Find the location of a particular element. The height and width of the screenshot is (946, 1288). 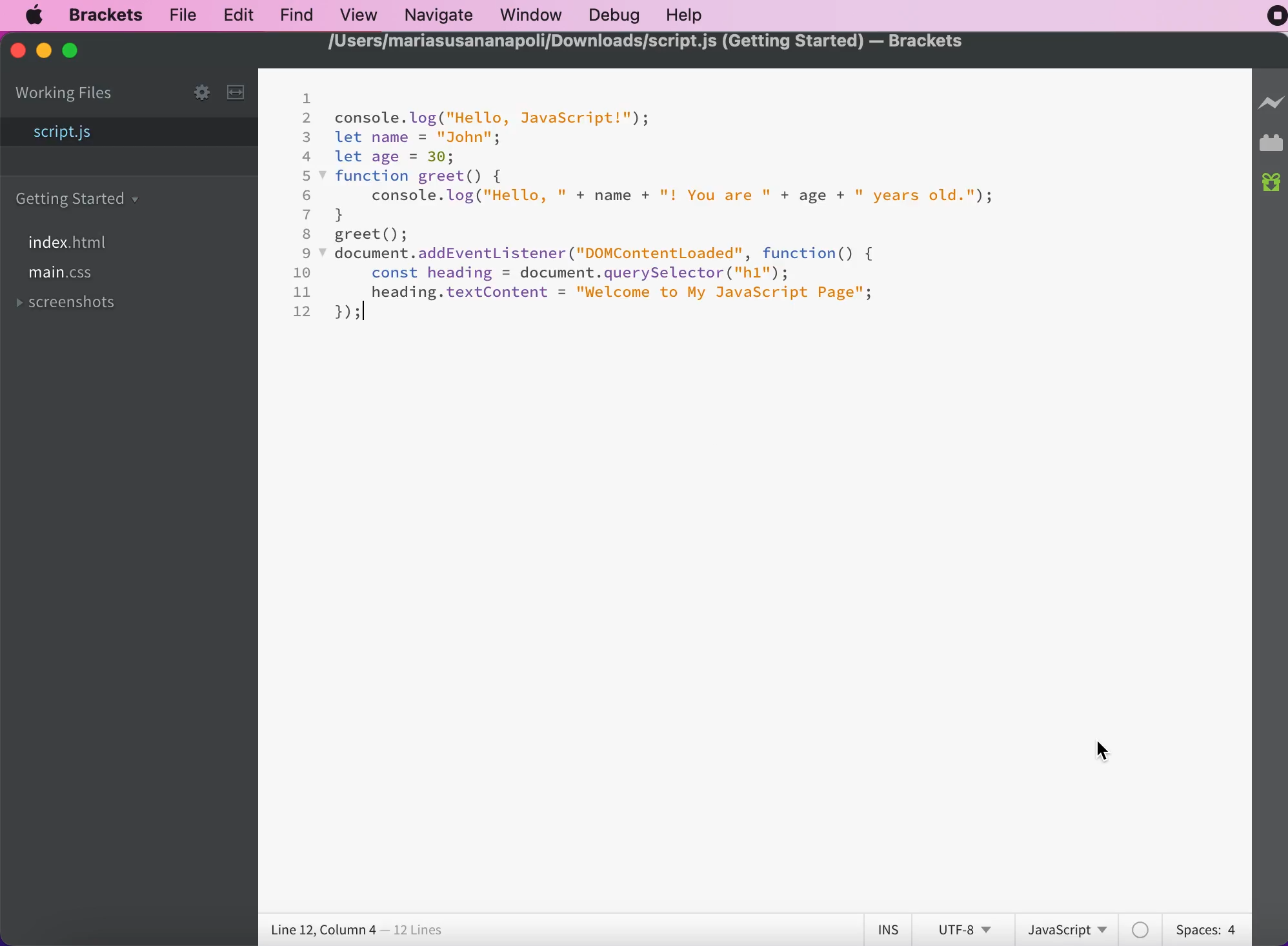

4 is located at coordinates (307, 156).